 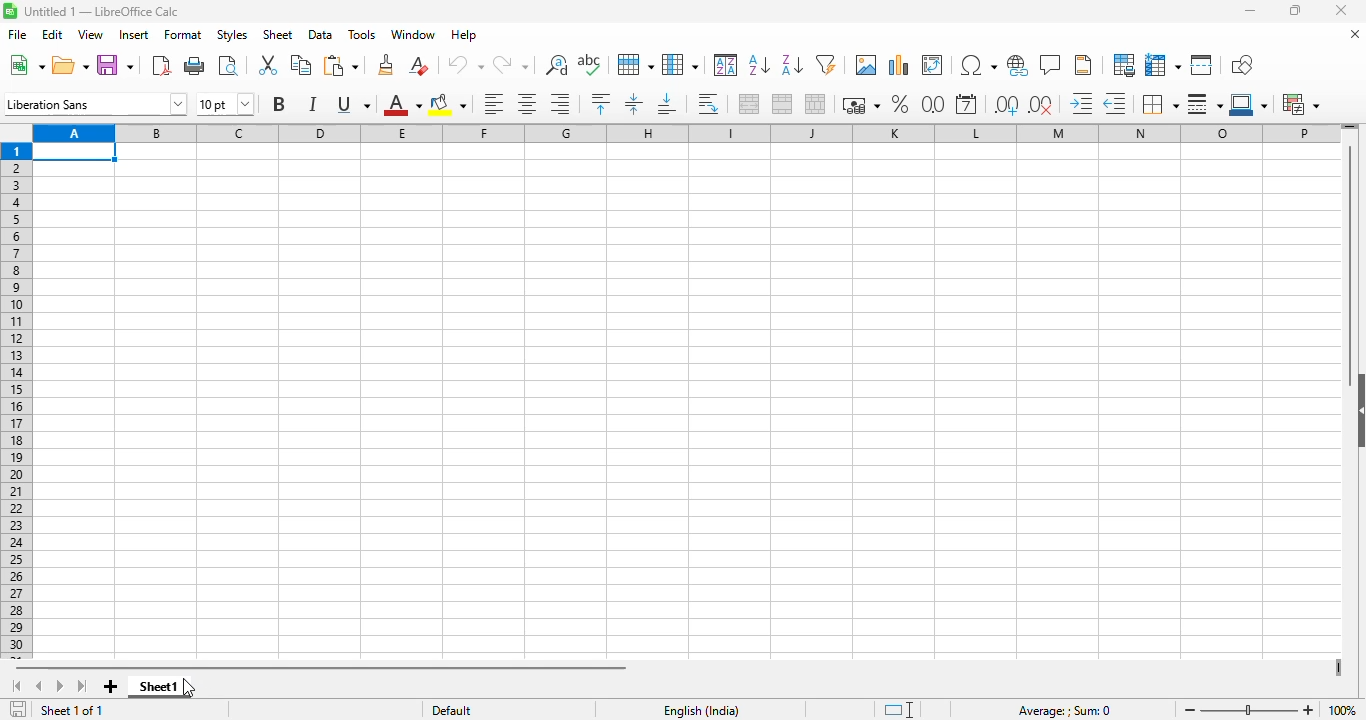 I want to click on background color, so click(x=448, y=104).